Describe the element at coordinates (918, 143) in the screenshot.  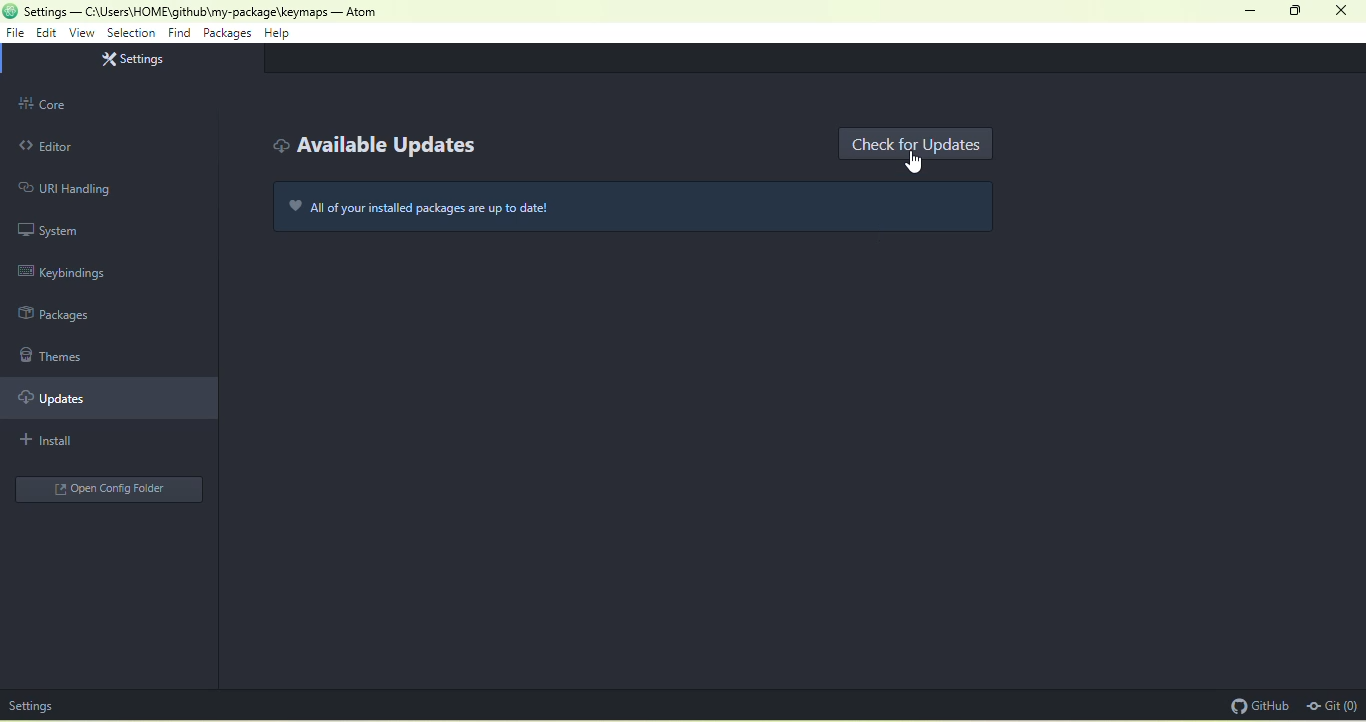
I see `check for updates` at that location.